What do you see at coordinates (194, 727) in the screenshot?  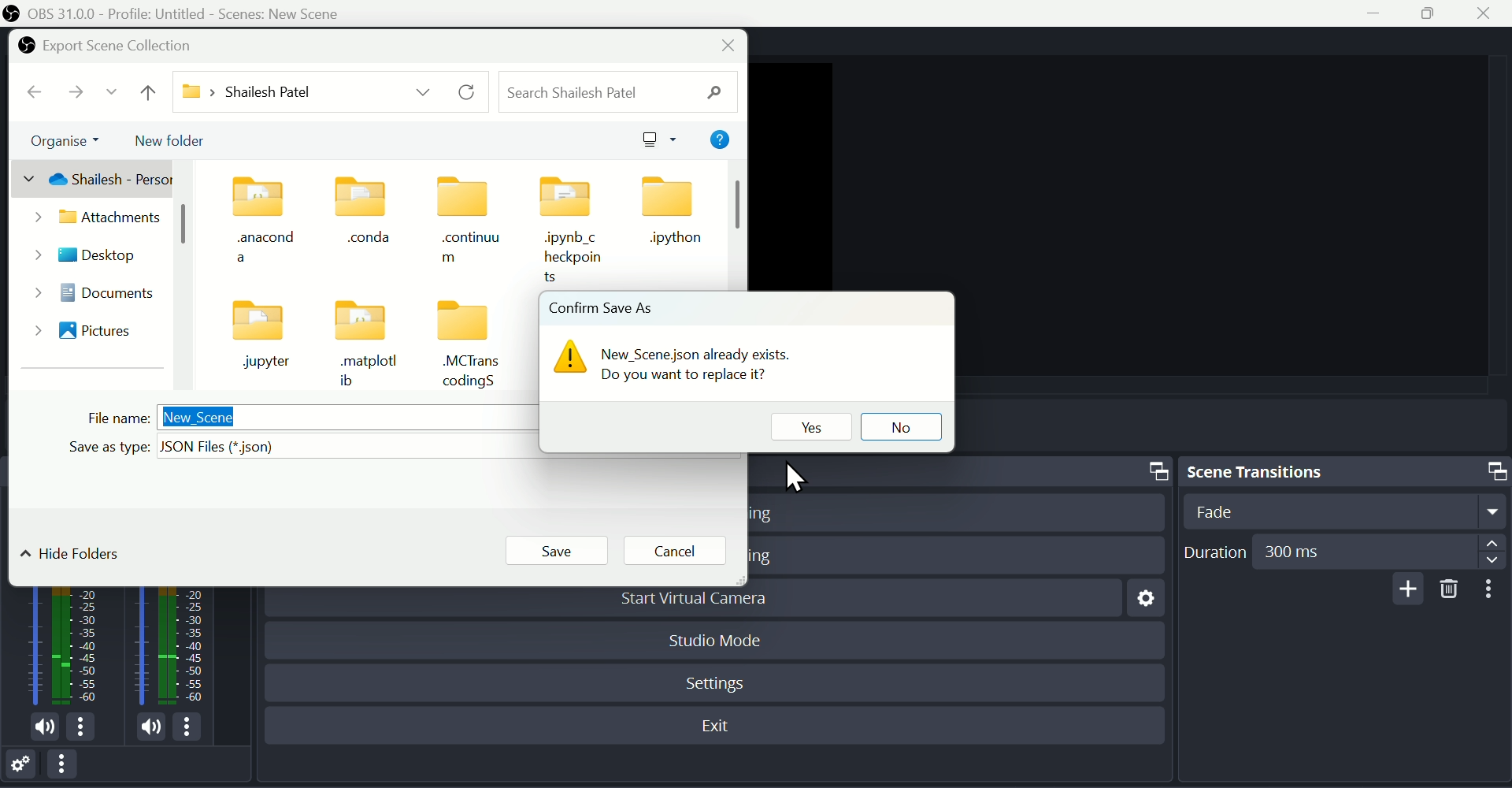 I see `more options` at bounding box center [194, 727].